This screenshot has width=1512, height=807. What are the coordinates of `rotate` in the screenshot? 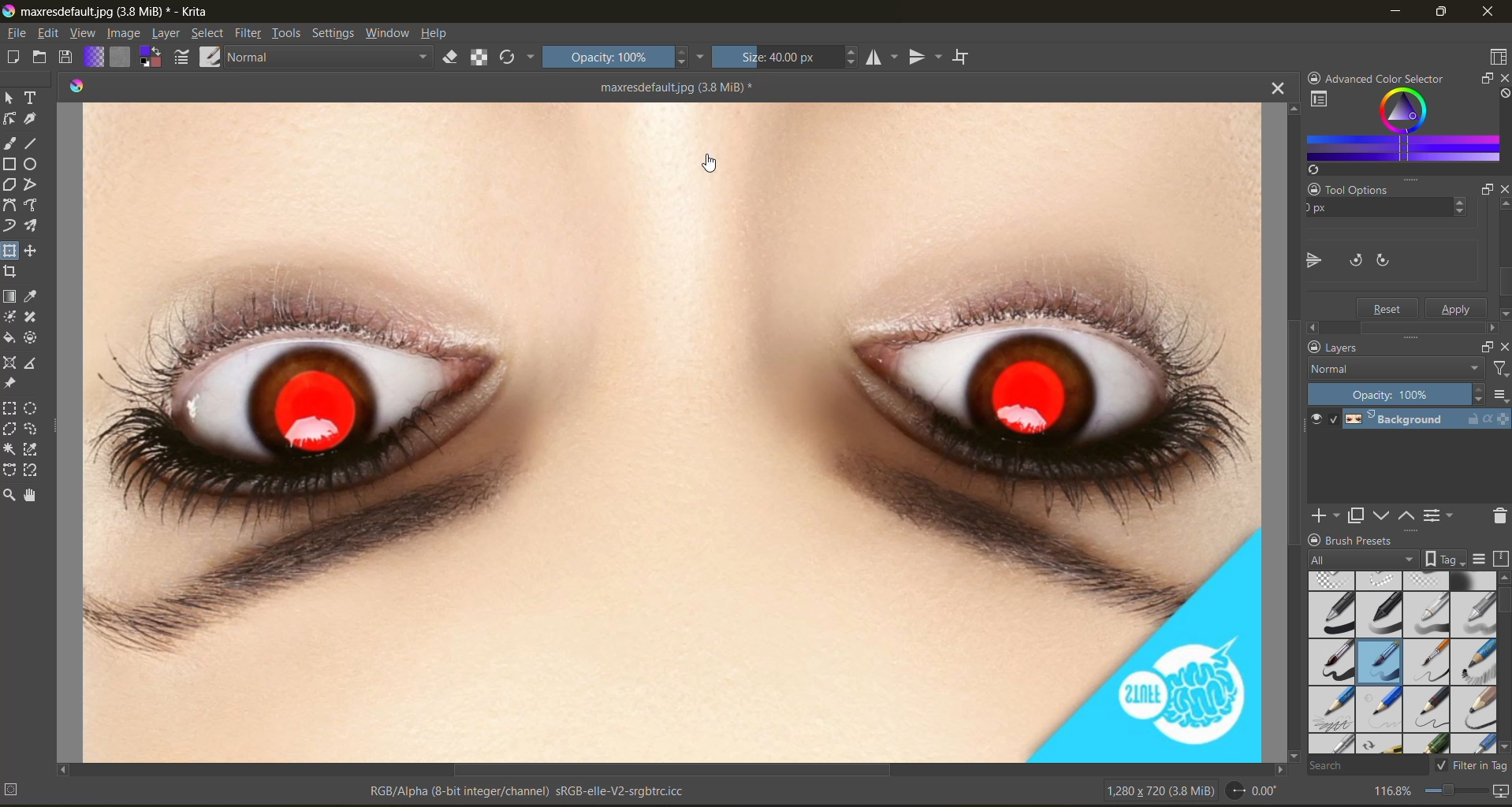 It's located at (1253, 791).